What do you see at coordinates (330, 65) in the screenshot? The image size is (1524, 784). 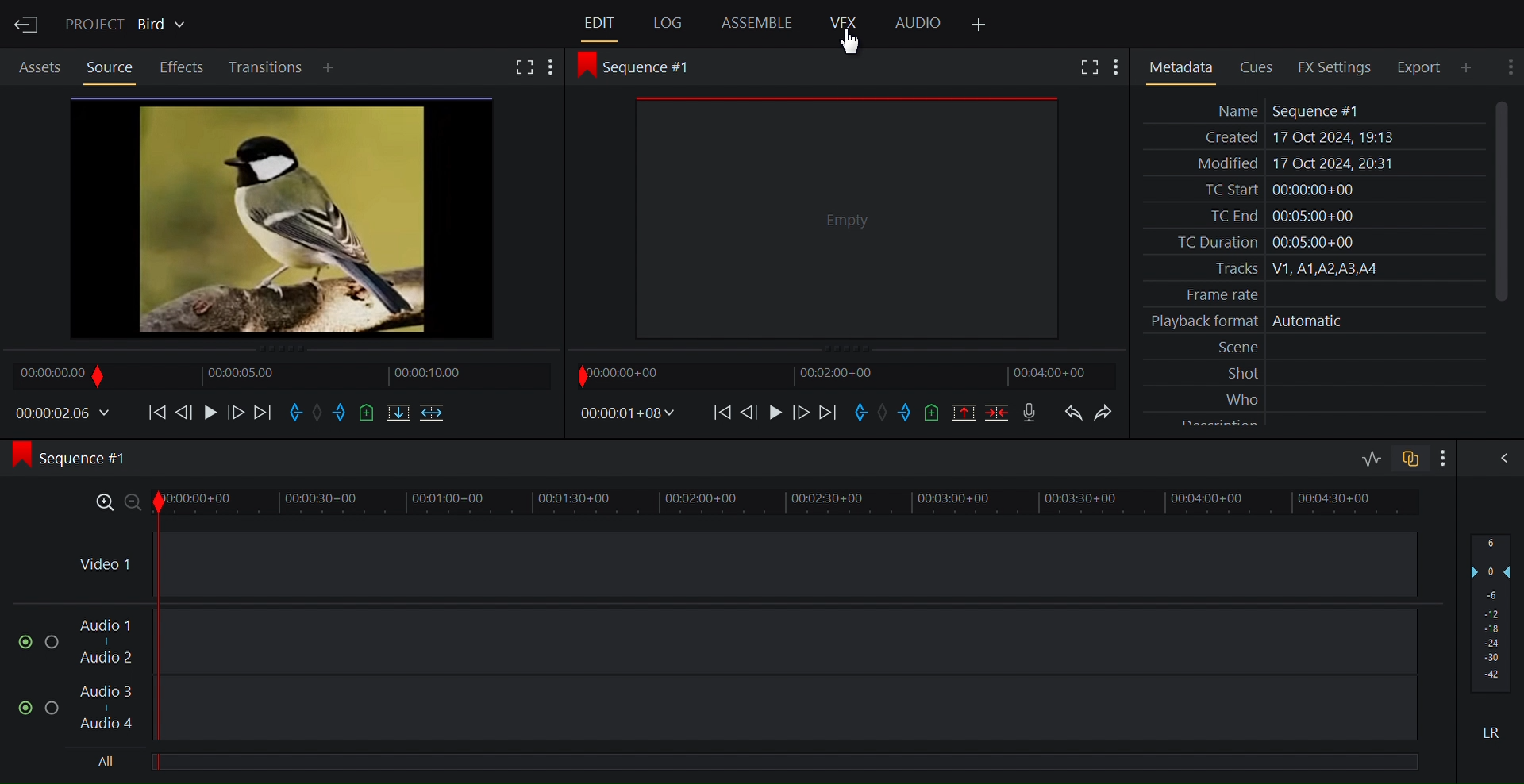 I see `Add` at bounding box center [330, 65].